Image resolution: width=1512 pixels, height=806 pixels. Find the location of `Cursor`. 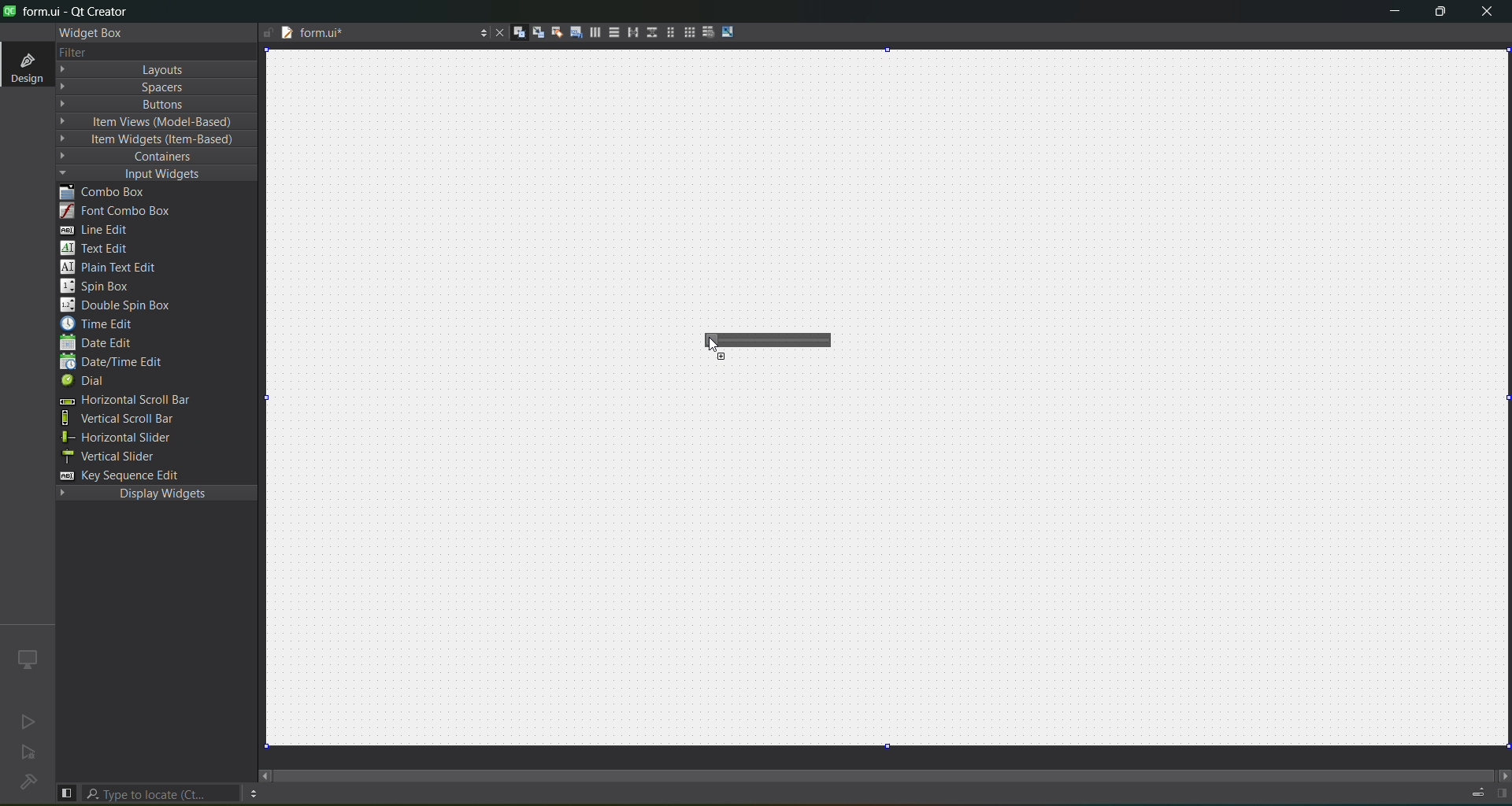

Cursor is located at coordinates (710, 348).